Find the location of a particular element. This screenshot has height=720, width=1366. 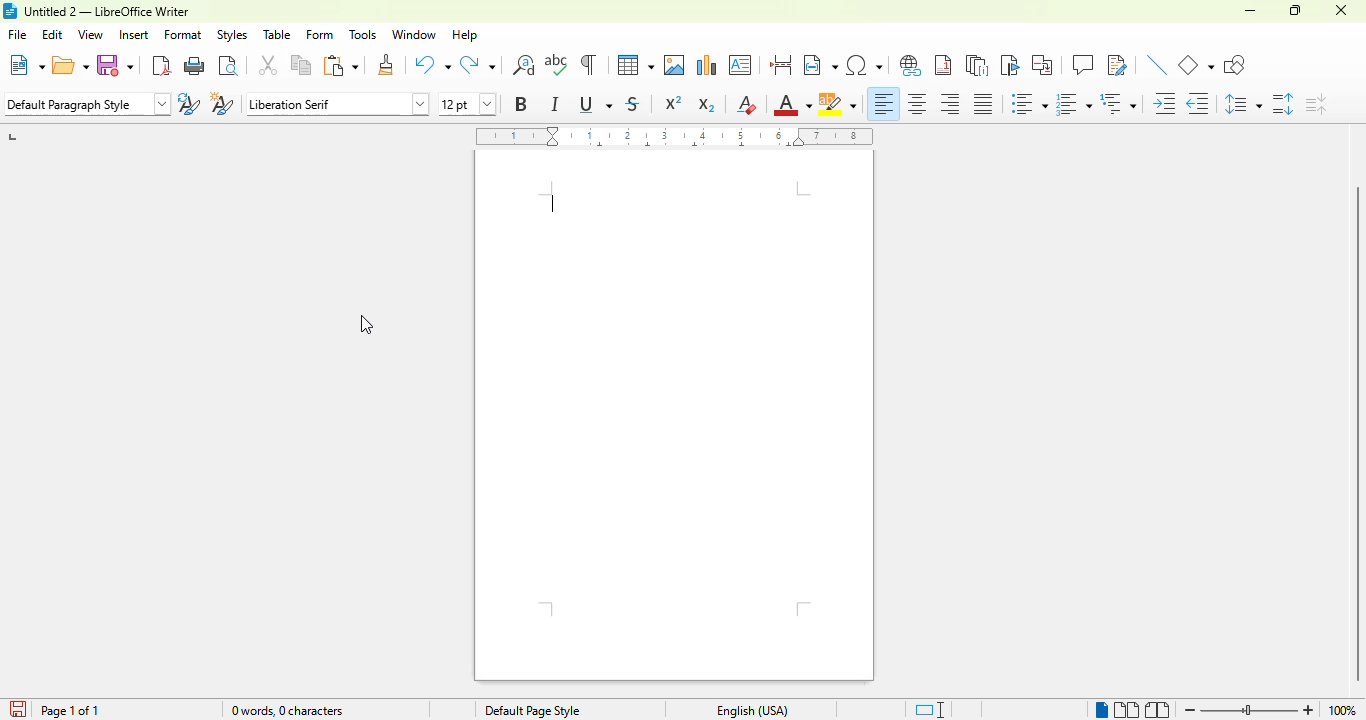

spelling is located at coordinates (557, 66).